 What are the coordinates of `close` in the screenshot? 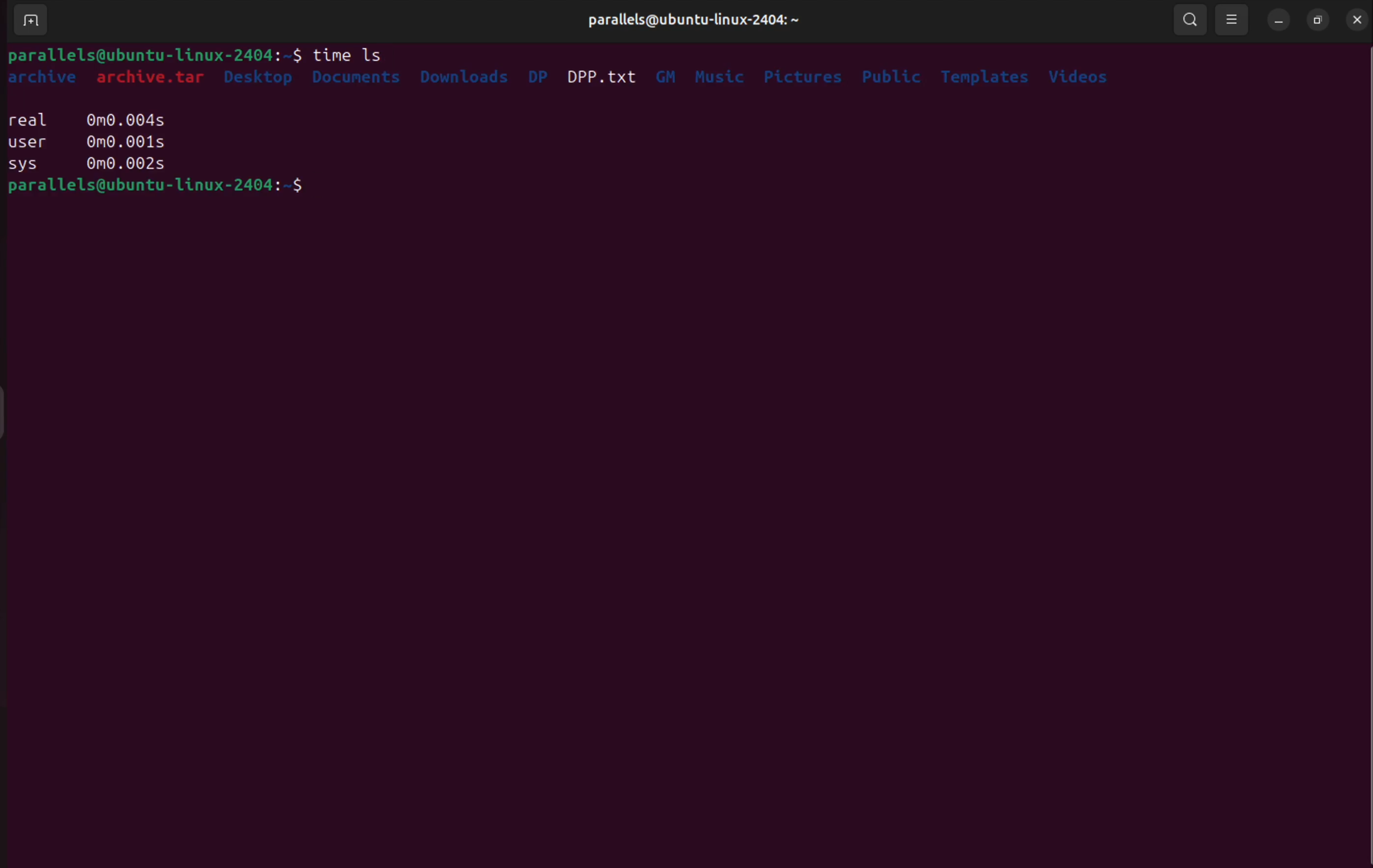 It's located at (1358, 18).